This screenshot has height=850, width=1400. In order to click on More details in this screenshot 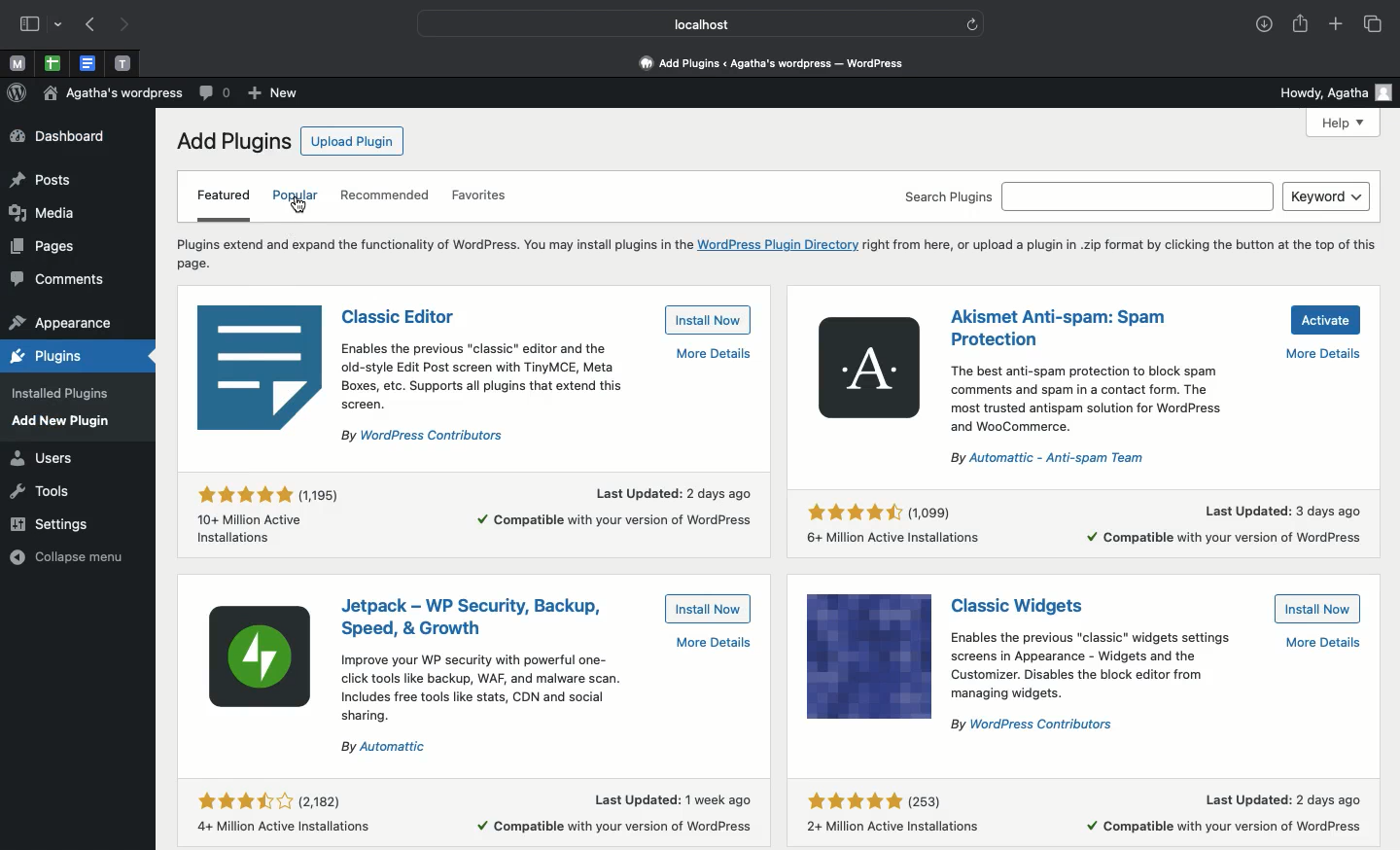, I will do `click(717, 639)`.